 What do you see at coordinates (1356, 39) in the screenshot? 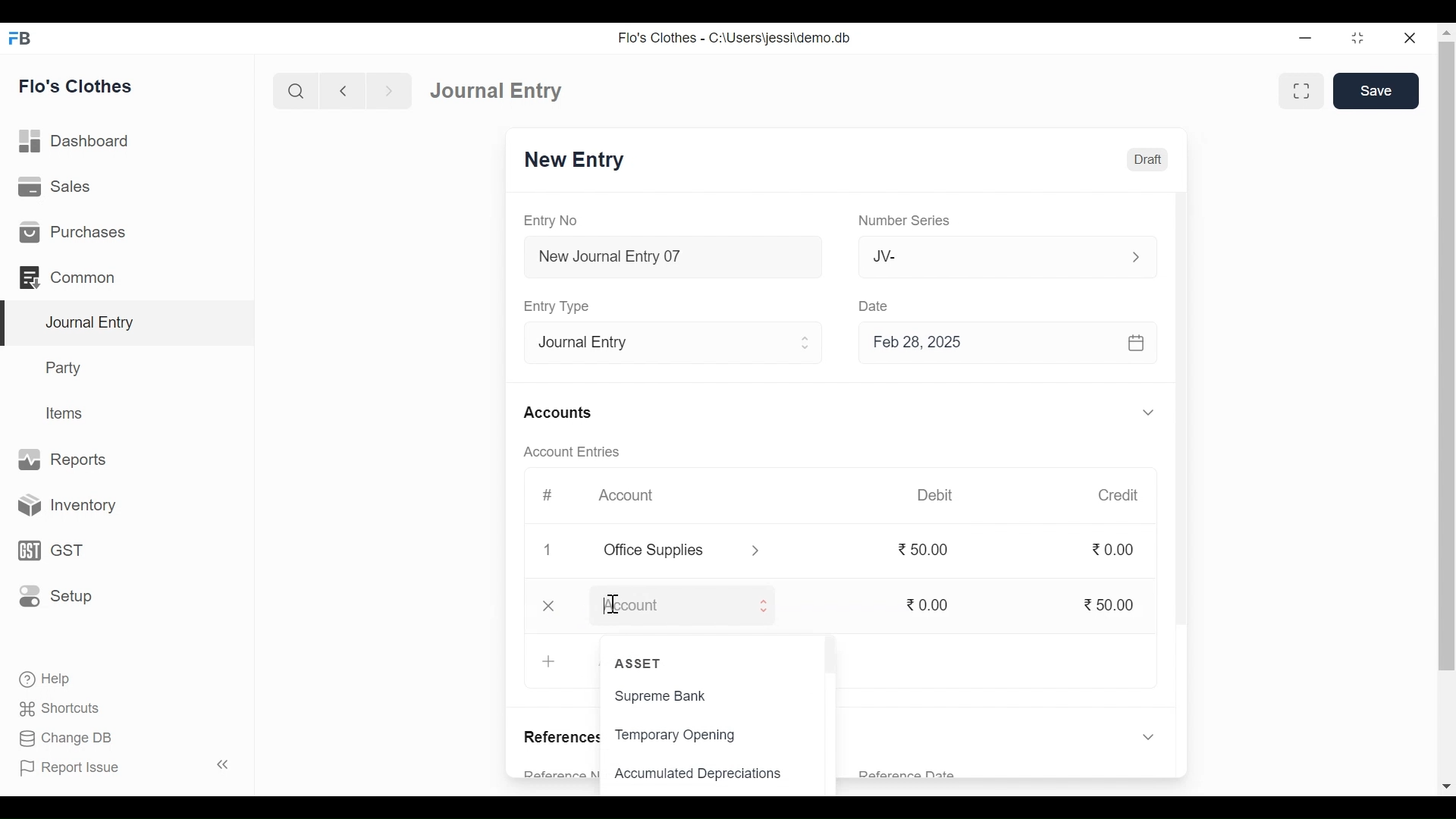
I see `Restore` at bounding box center [1356, 39].